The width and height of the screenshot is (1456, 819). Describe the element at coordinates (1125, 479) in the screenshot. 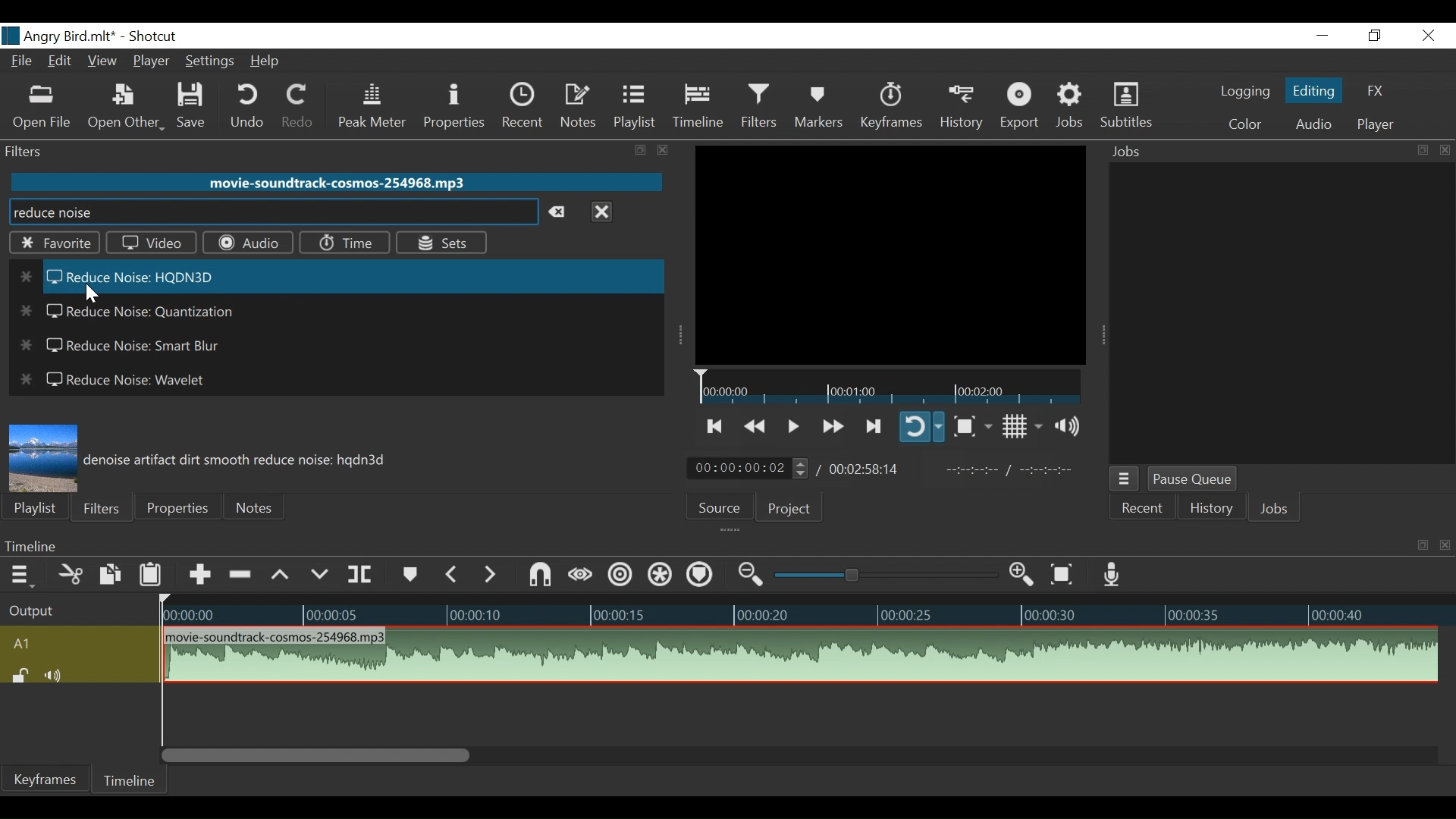

I see `Jobs menu` at that location.